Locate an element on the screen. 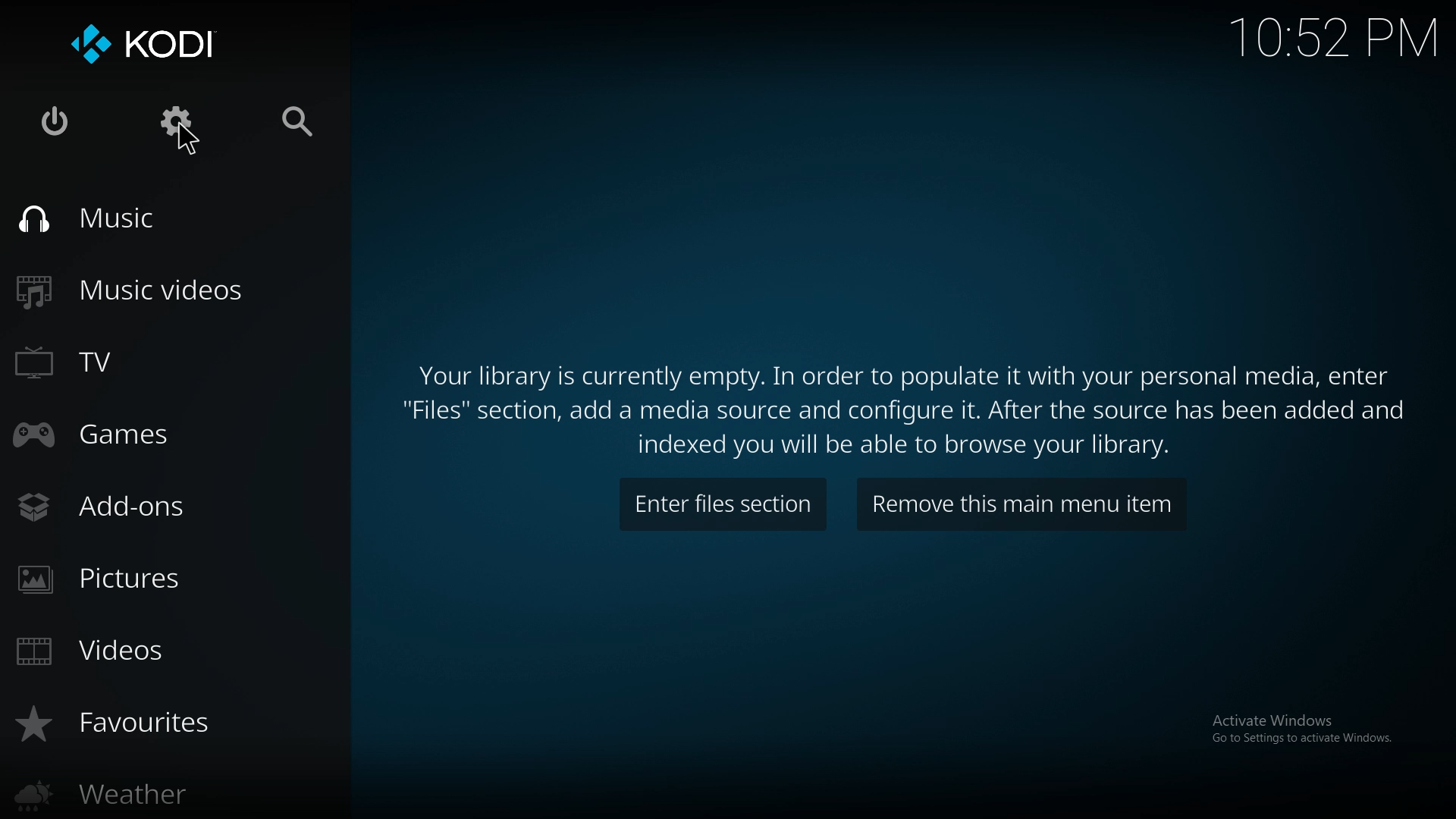 The width and height of the screenshot is (1456, 819). music videos is located at coordinates (158, 290).